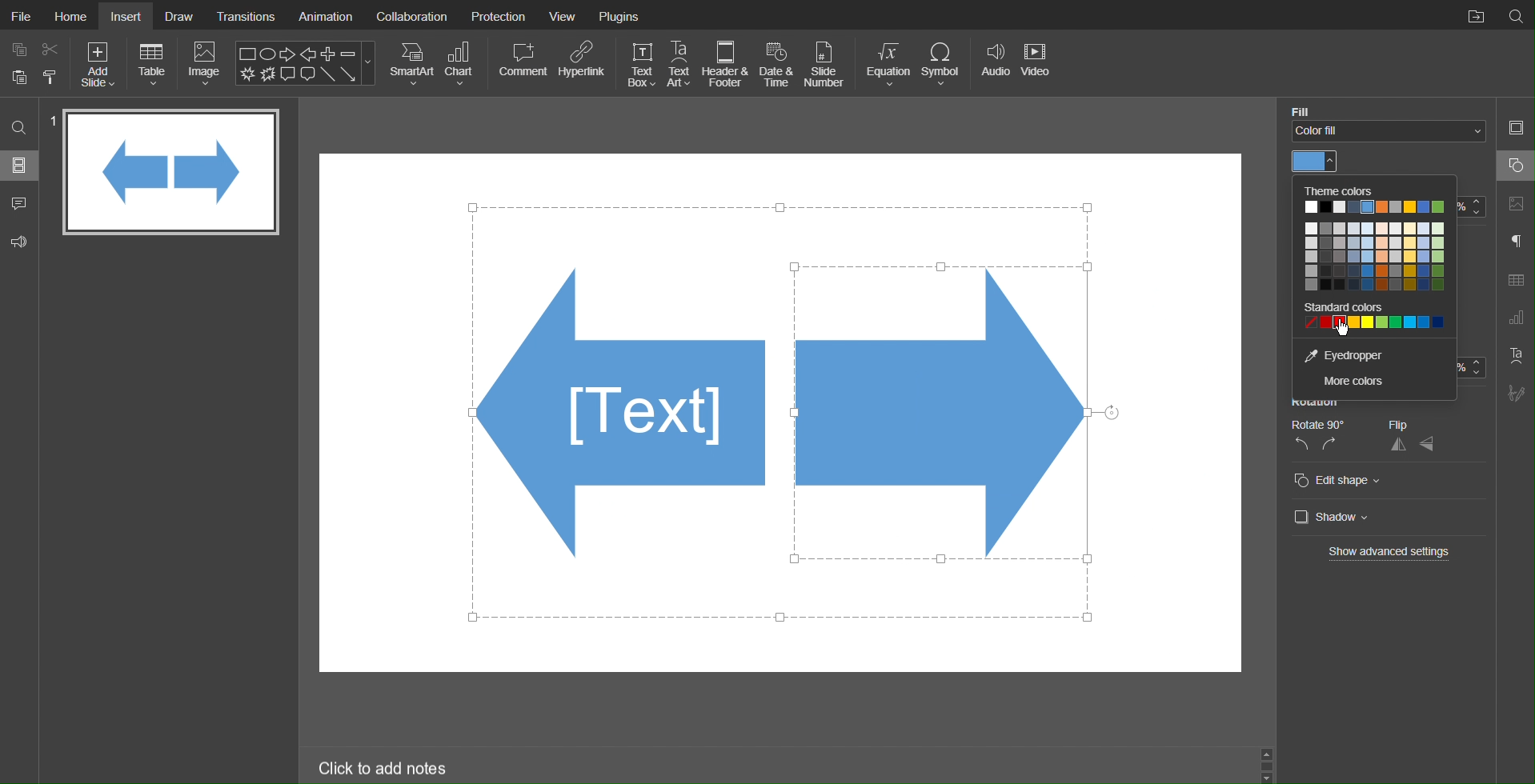 The height and width of the screenshot is (784, 1535). What do you see at coordinates (205, 63) in the screenshot?
I see `Image` at bounding box center [205, 63].